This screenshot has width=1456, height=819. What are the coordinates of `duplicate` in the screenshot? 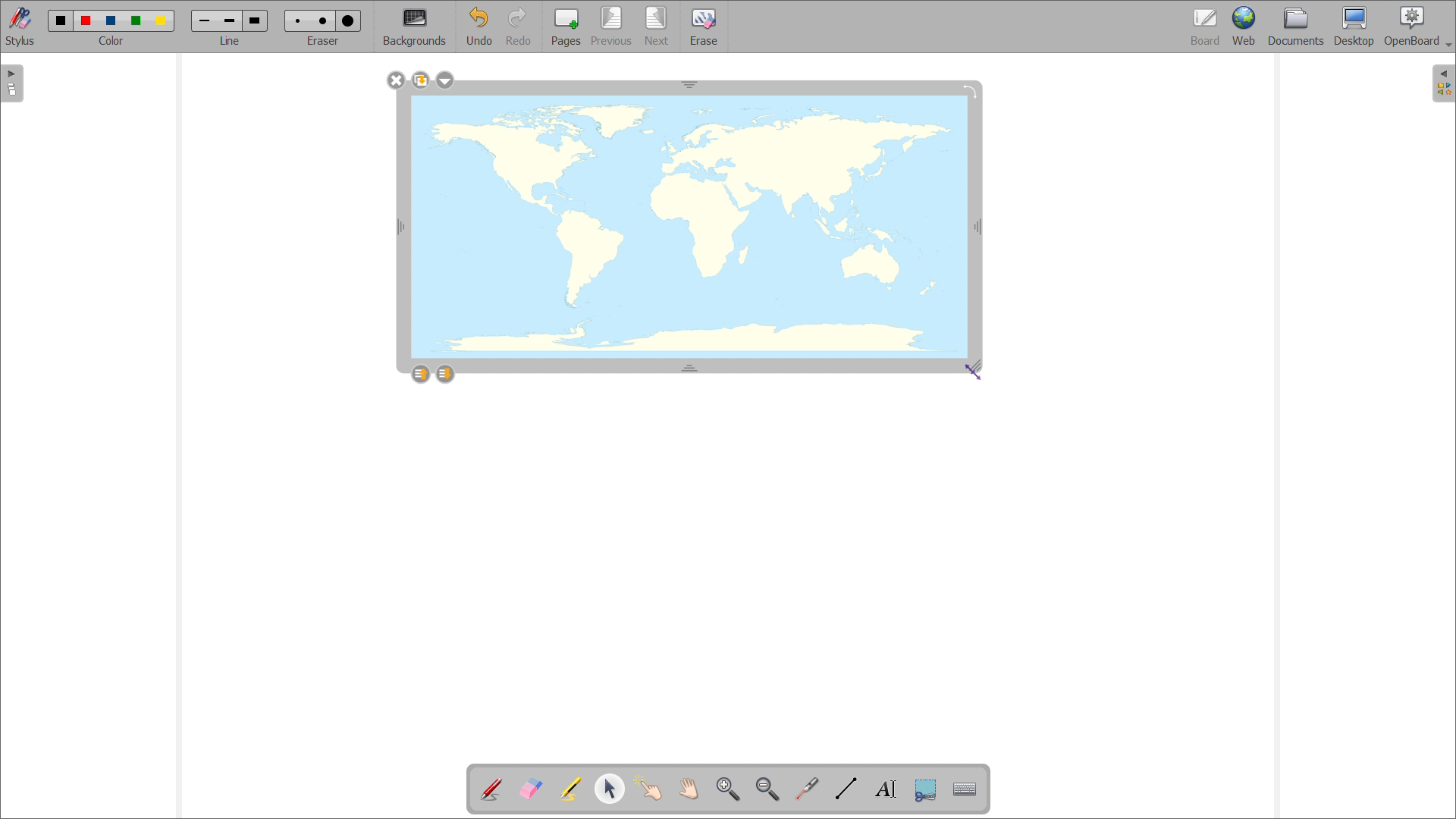 It's located at (419, 80).